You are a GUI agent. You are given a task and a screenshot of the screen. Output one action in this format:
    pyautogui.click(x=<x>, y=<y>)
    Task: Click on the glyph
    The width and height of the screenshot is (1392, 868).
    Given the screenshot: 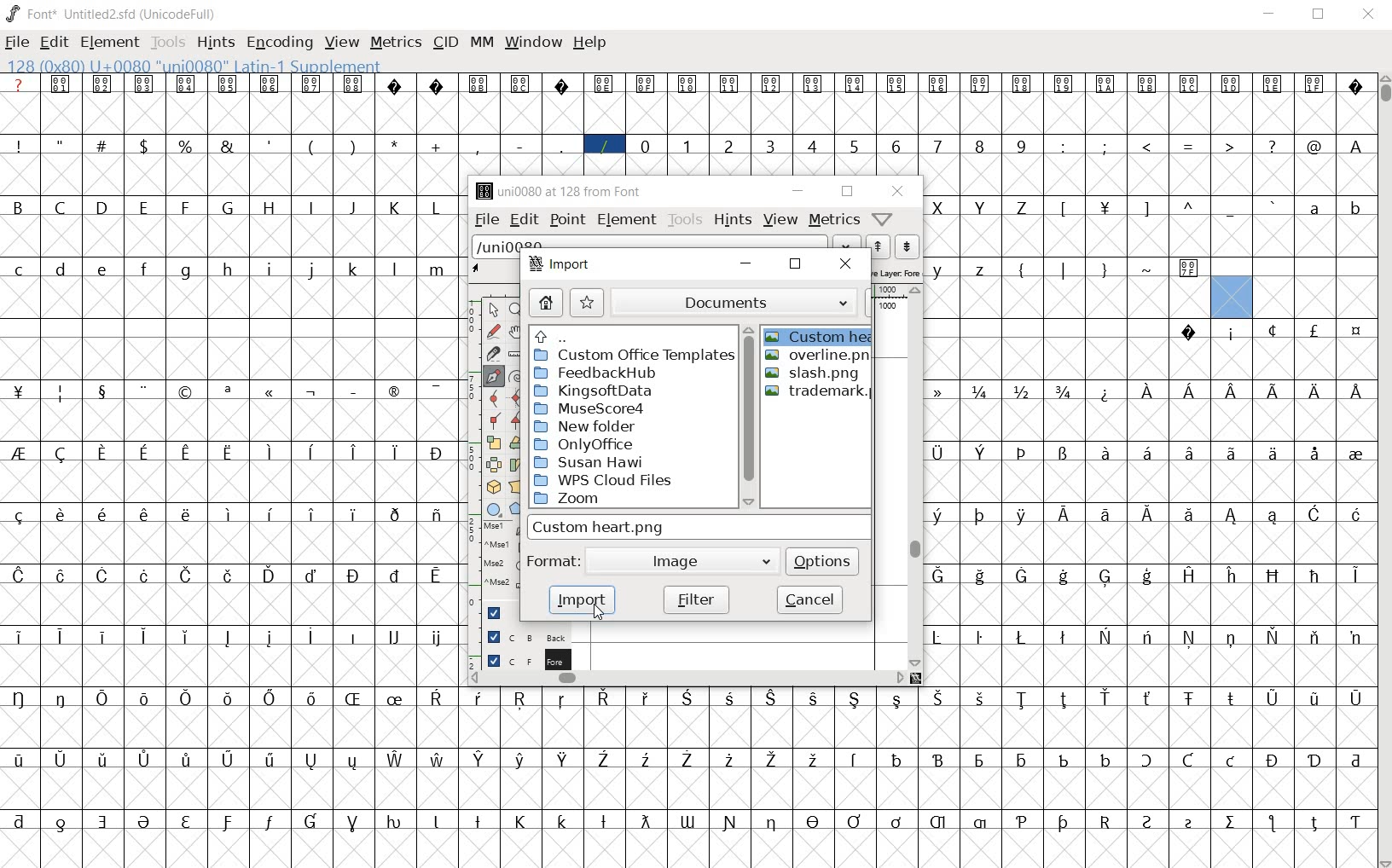 What is the action you would take?
    pyautogui.click(x=730, y=823)
    